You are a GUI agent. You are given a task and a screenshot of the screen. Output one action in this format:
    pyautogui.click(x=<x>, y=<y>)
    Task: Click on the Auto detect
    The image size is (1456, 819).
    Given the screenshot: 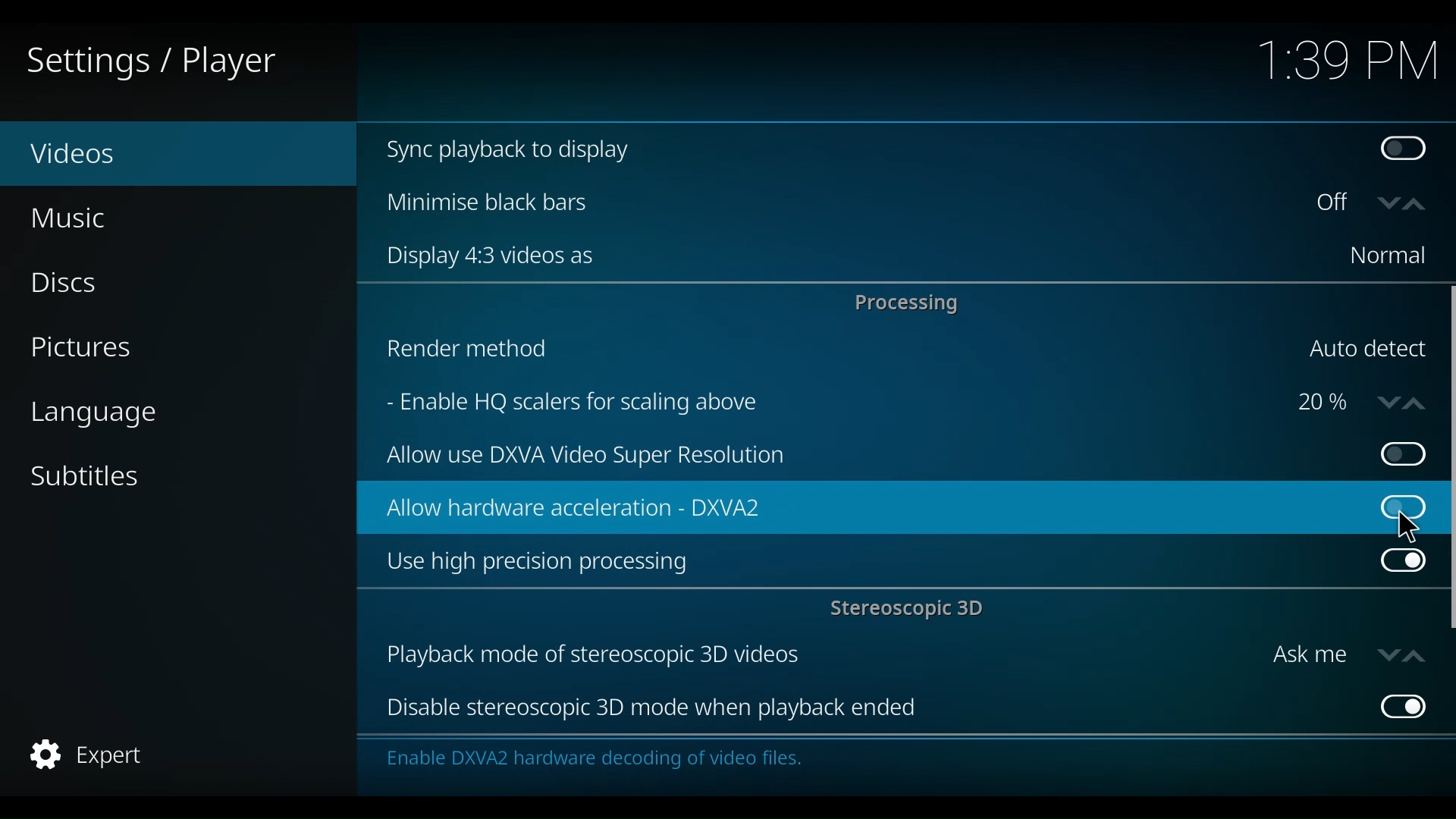 What is the action you would take?
    pyautogui.click(x=1366, y=350)
    